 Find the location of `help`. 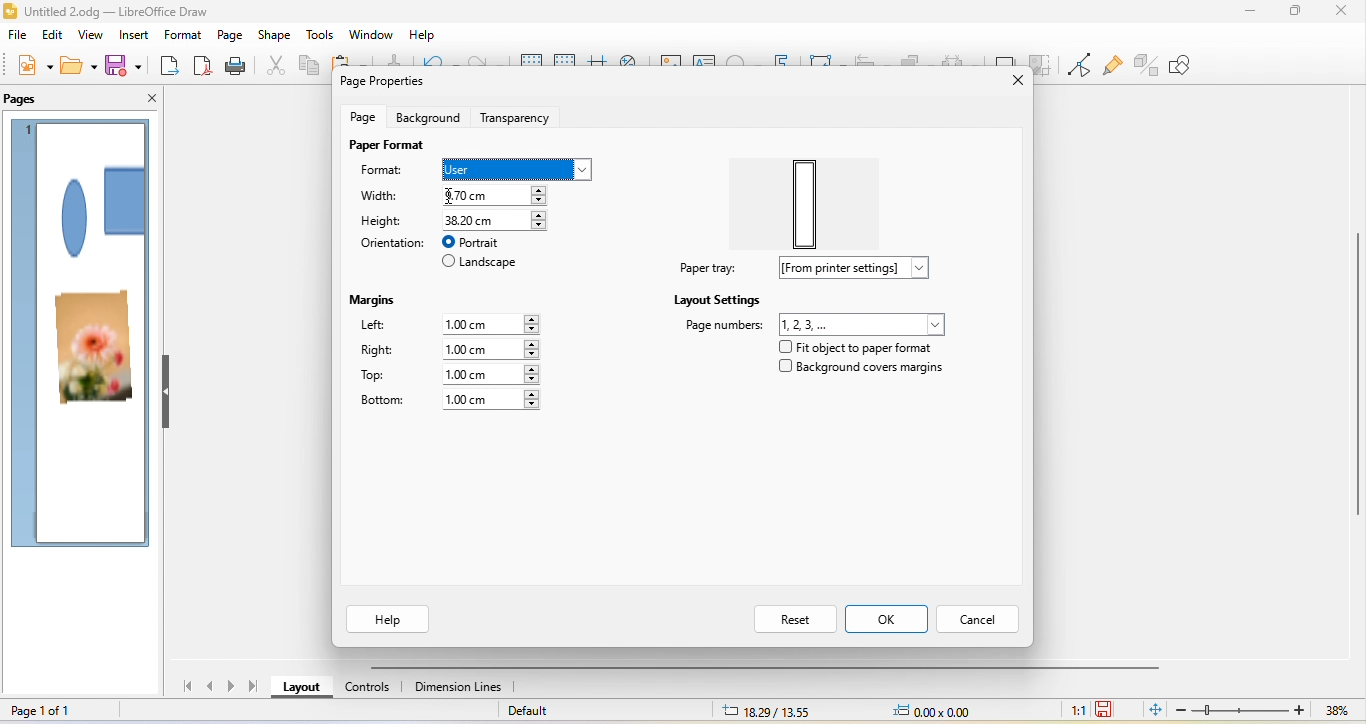

help is located at coordinates (423, 36).